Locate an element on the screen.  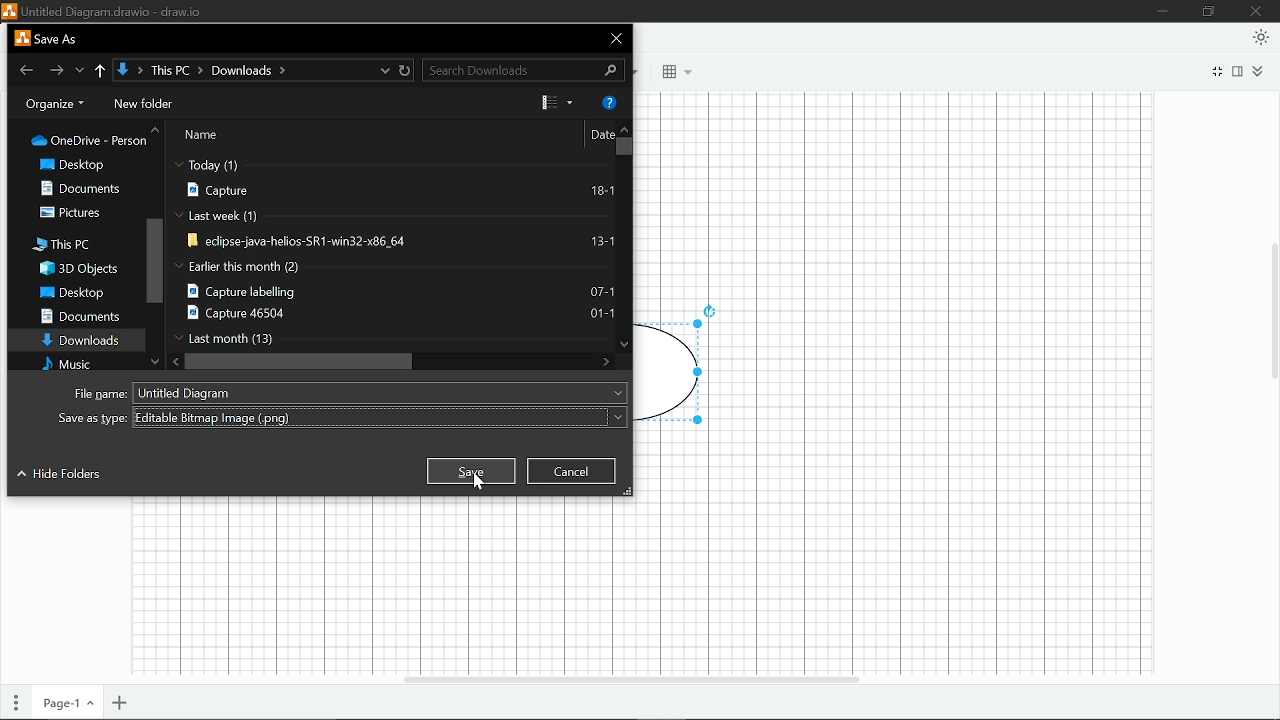
move right is located at coordinates (606, 362).